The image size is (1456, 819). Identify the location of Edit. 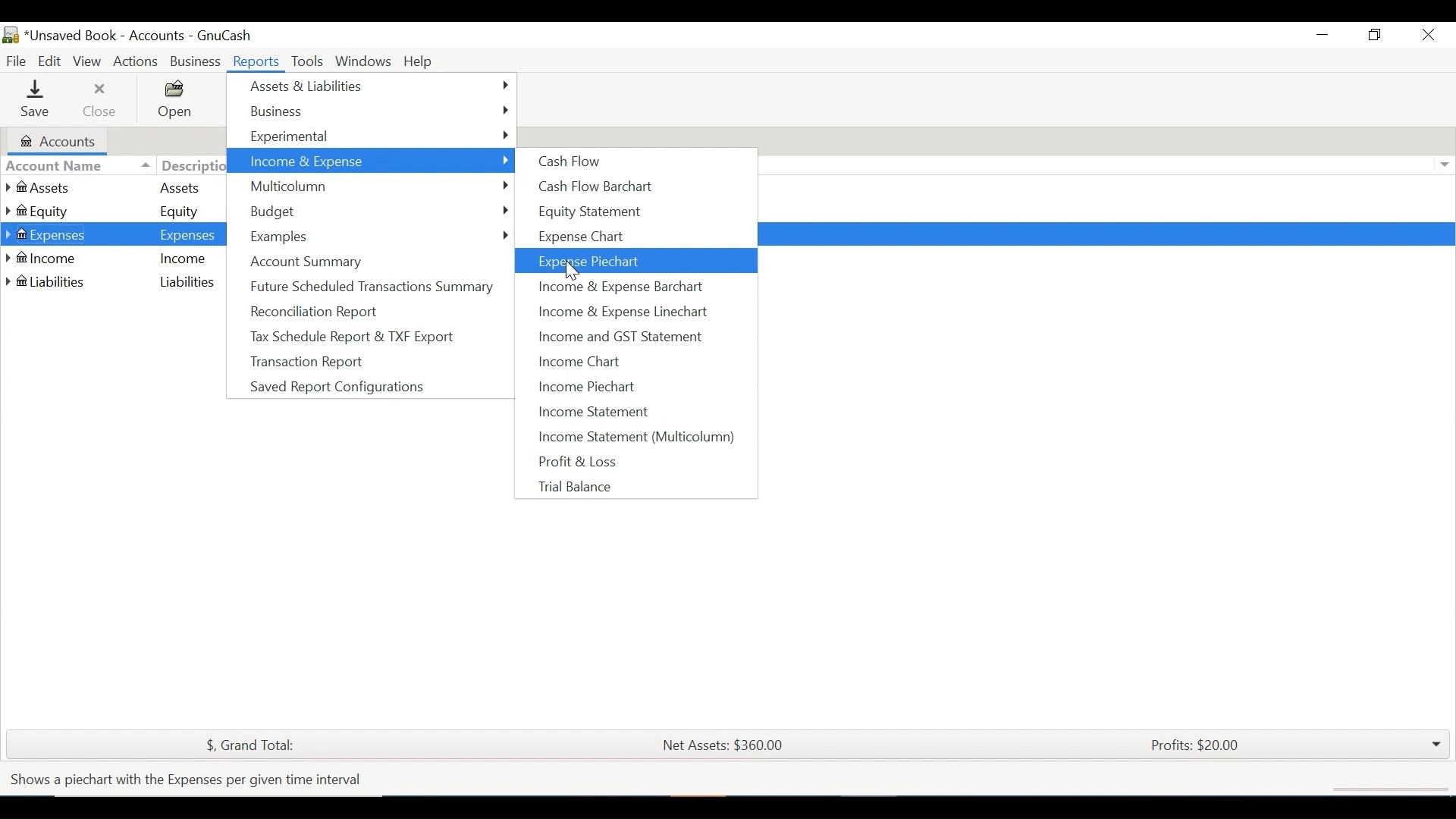
(49, 59).